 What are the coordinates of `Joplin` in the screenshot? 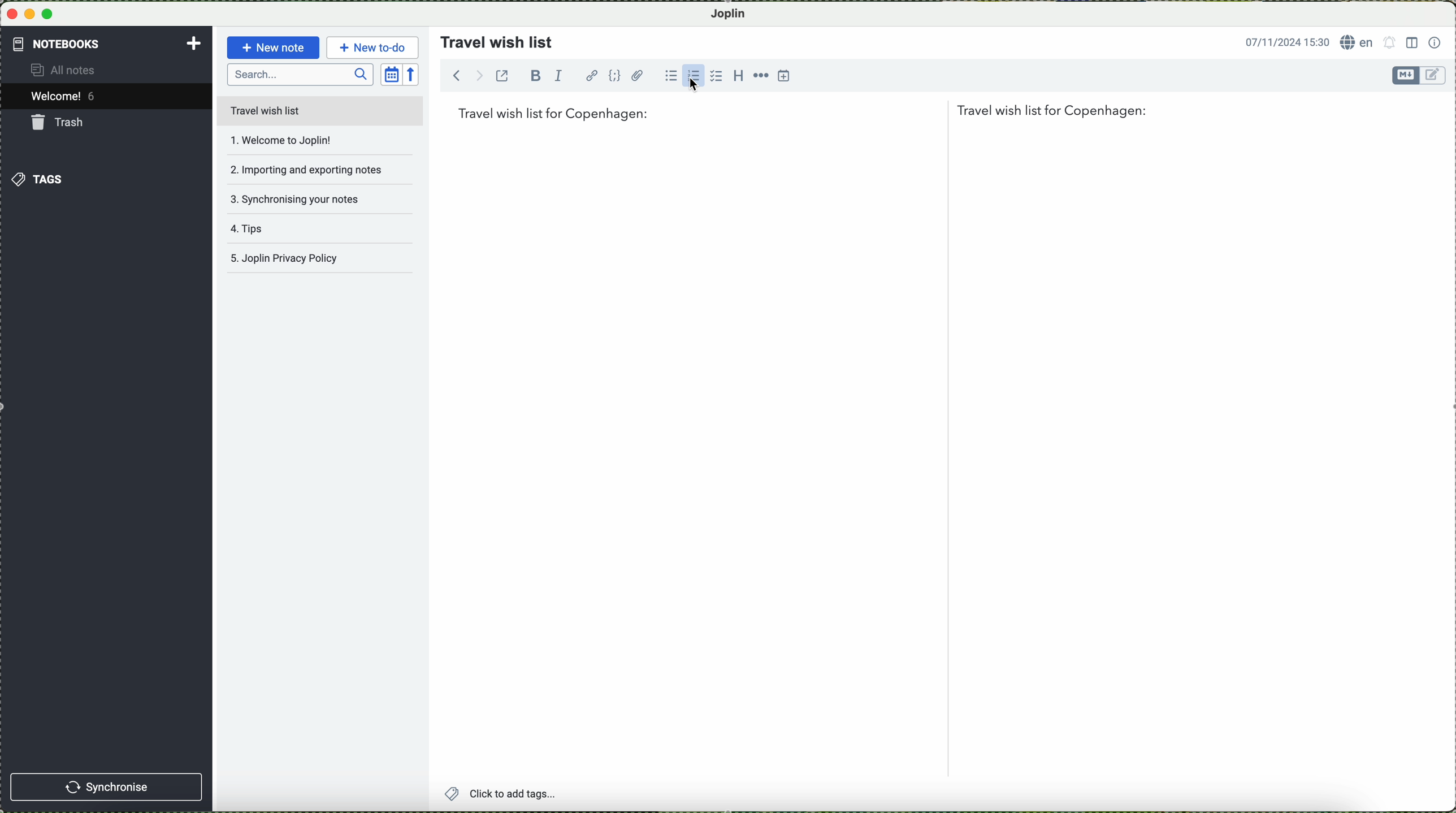 It's located at (734, 13).